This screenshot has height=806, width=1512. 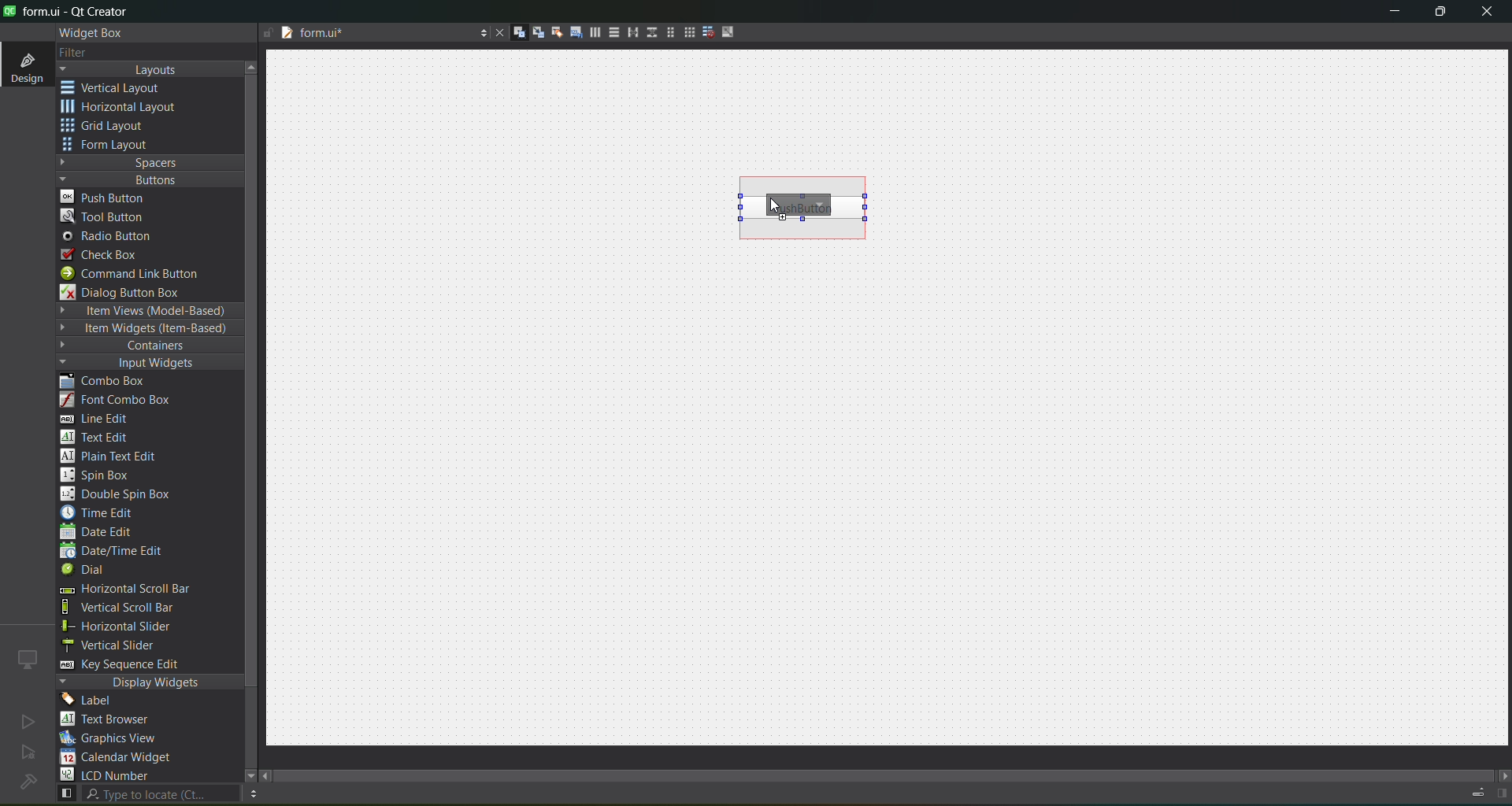 I want to click on horizontal splitter, so click(x=628, y=33).